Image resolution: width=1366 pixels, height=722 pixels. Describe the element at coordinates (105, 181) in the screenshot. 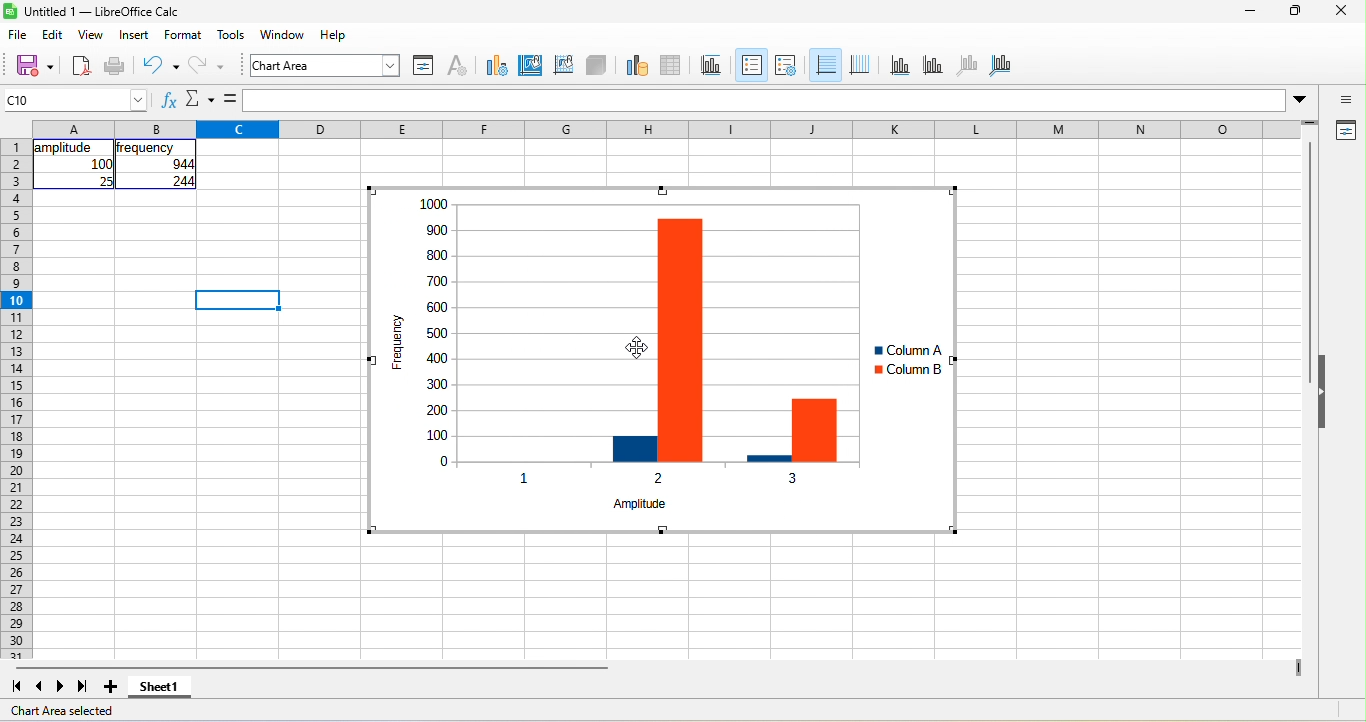

I see `25` at that location.